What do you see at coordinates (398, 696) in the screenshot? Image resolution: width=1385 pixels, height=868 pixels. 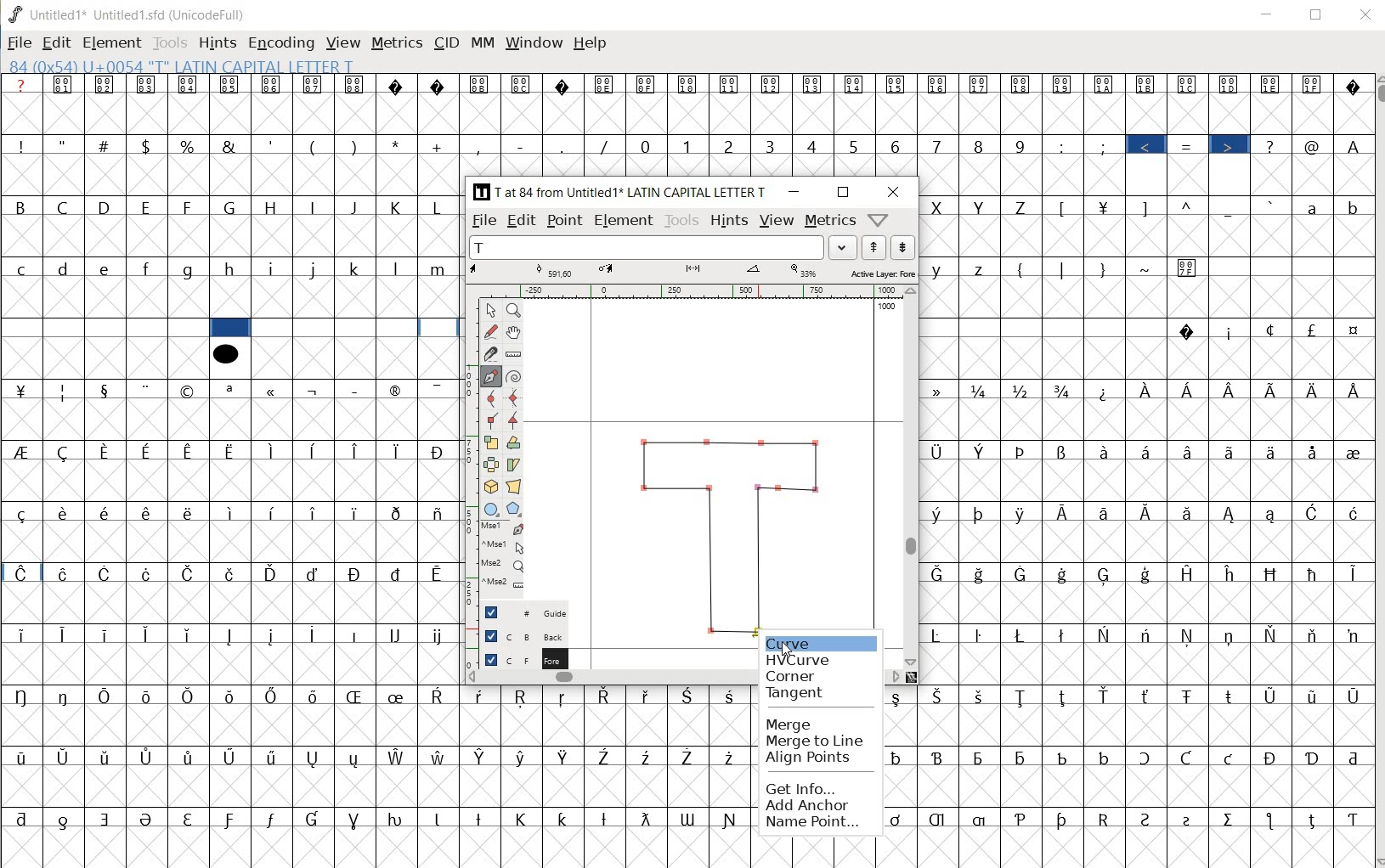 I see `Symbol` at bounding box center [398, 696].